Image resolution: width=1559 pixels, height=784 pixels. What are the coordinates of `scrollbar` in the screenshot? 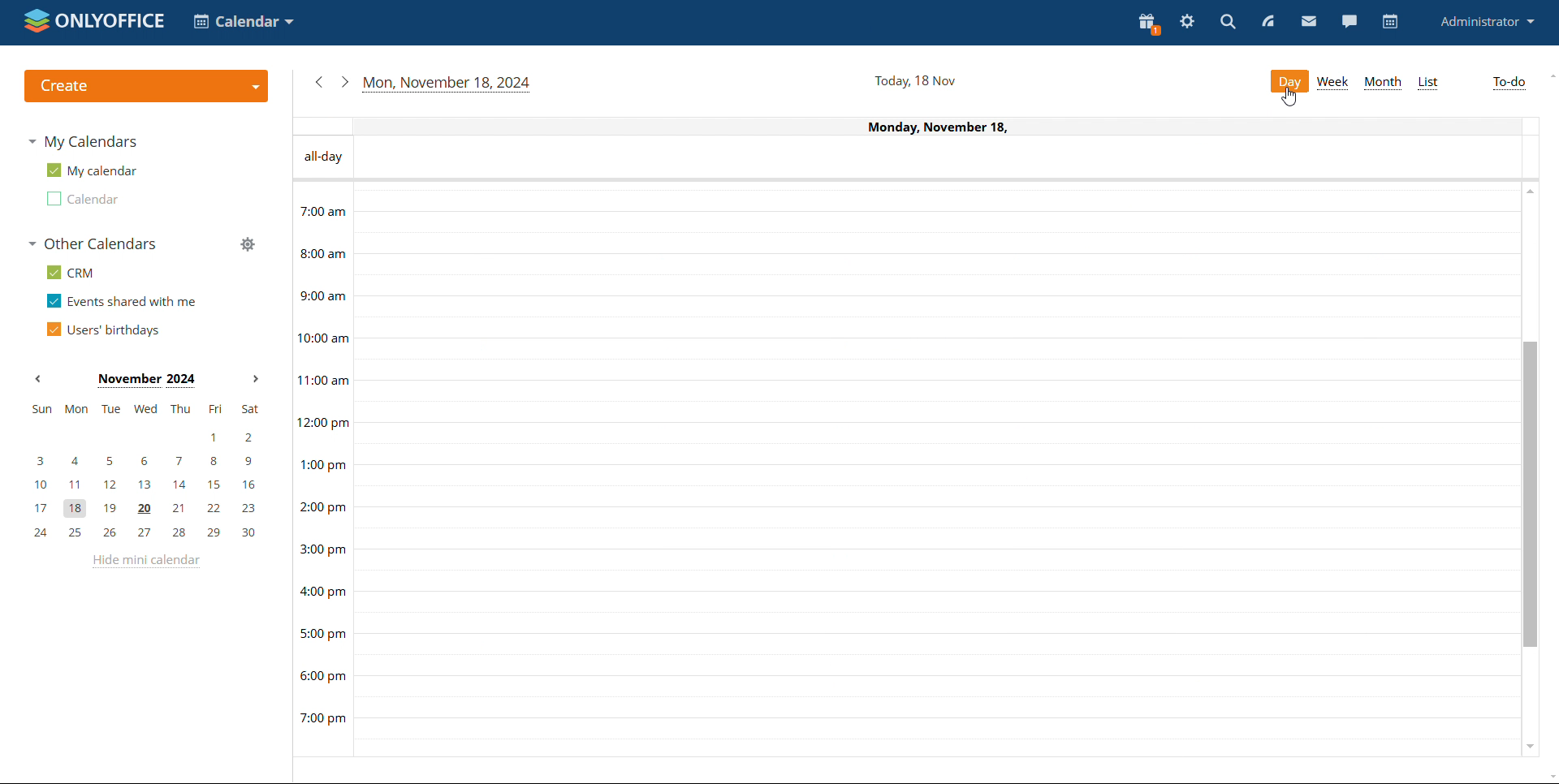 It's located at (1533, 493).